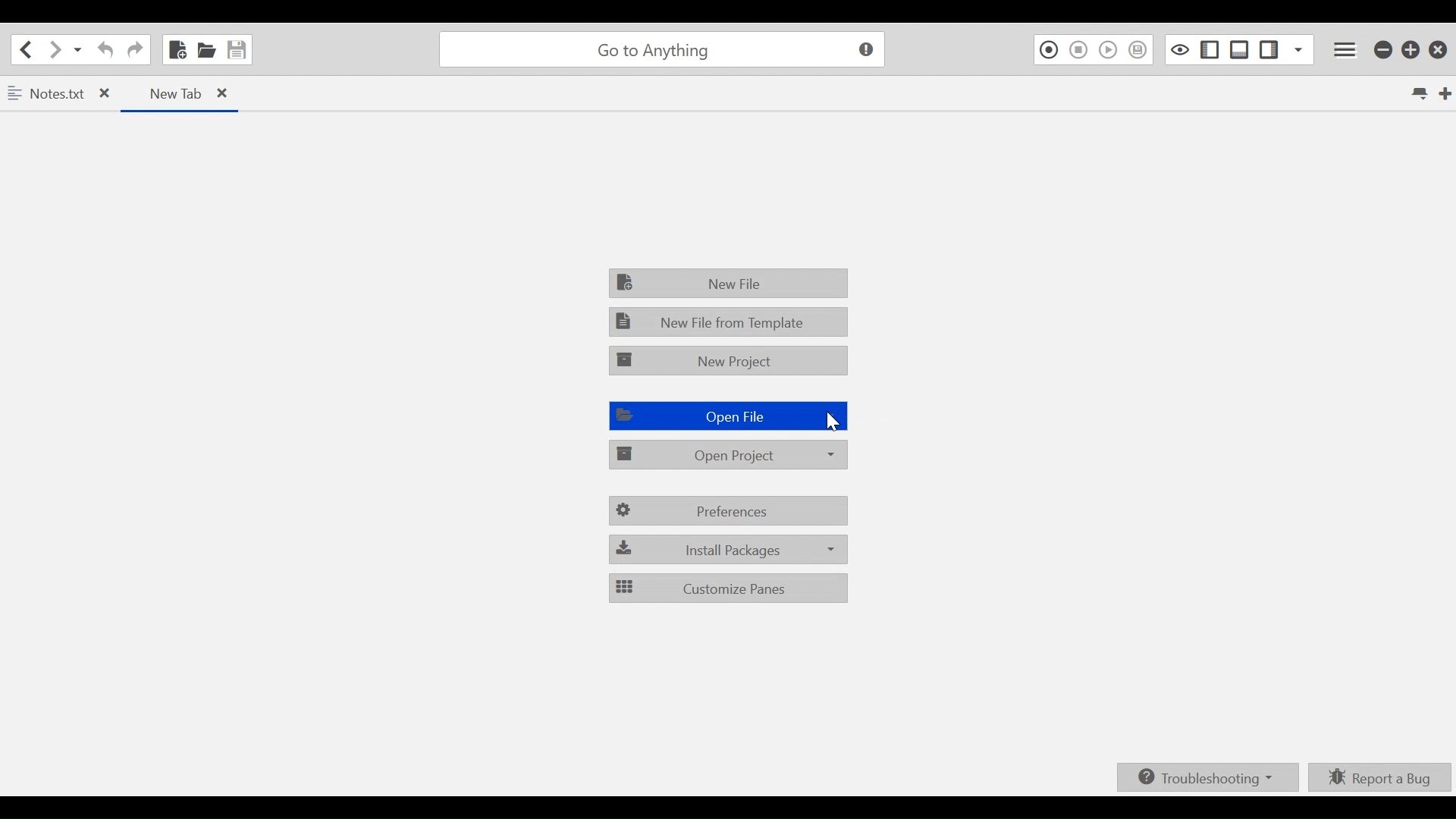 This screenshot has width=1456, height=819. What do you see at coordinates (726, 322) in the screenshot?
I see `New File from Template` at bounding box center [726, 322].